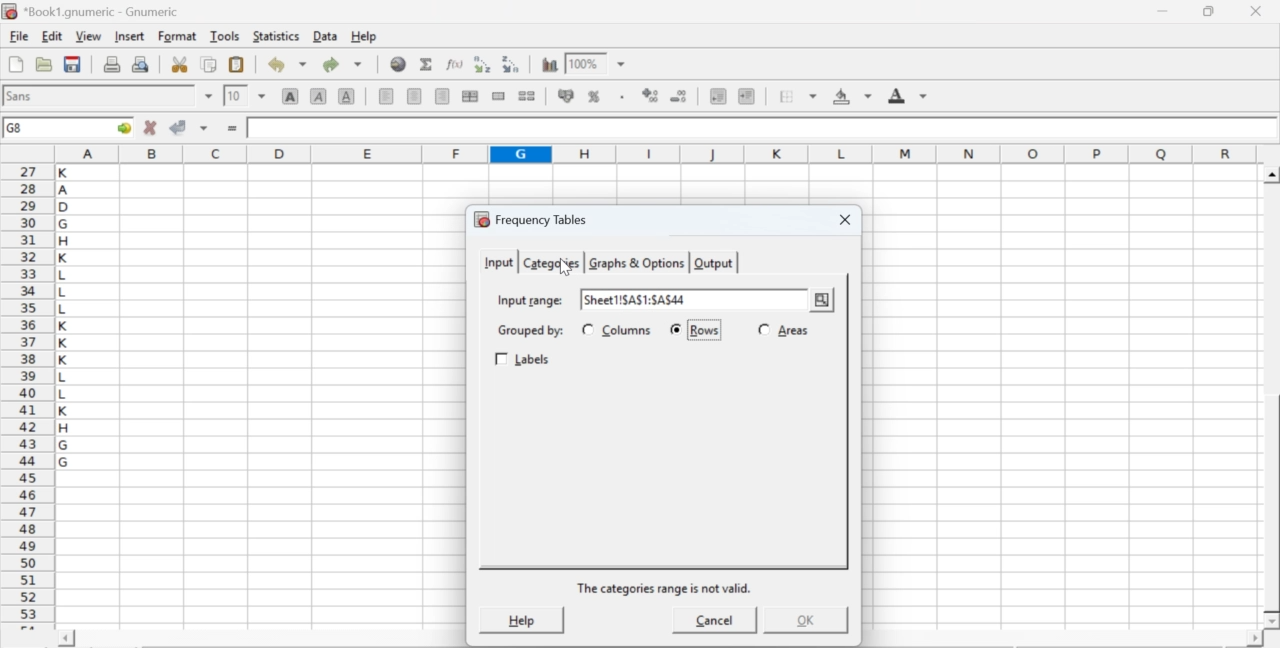 Image resolution: width=1280 pixels, height=648 pixels. I want to click on 100%, so click(583, 63).